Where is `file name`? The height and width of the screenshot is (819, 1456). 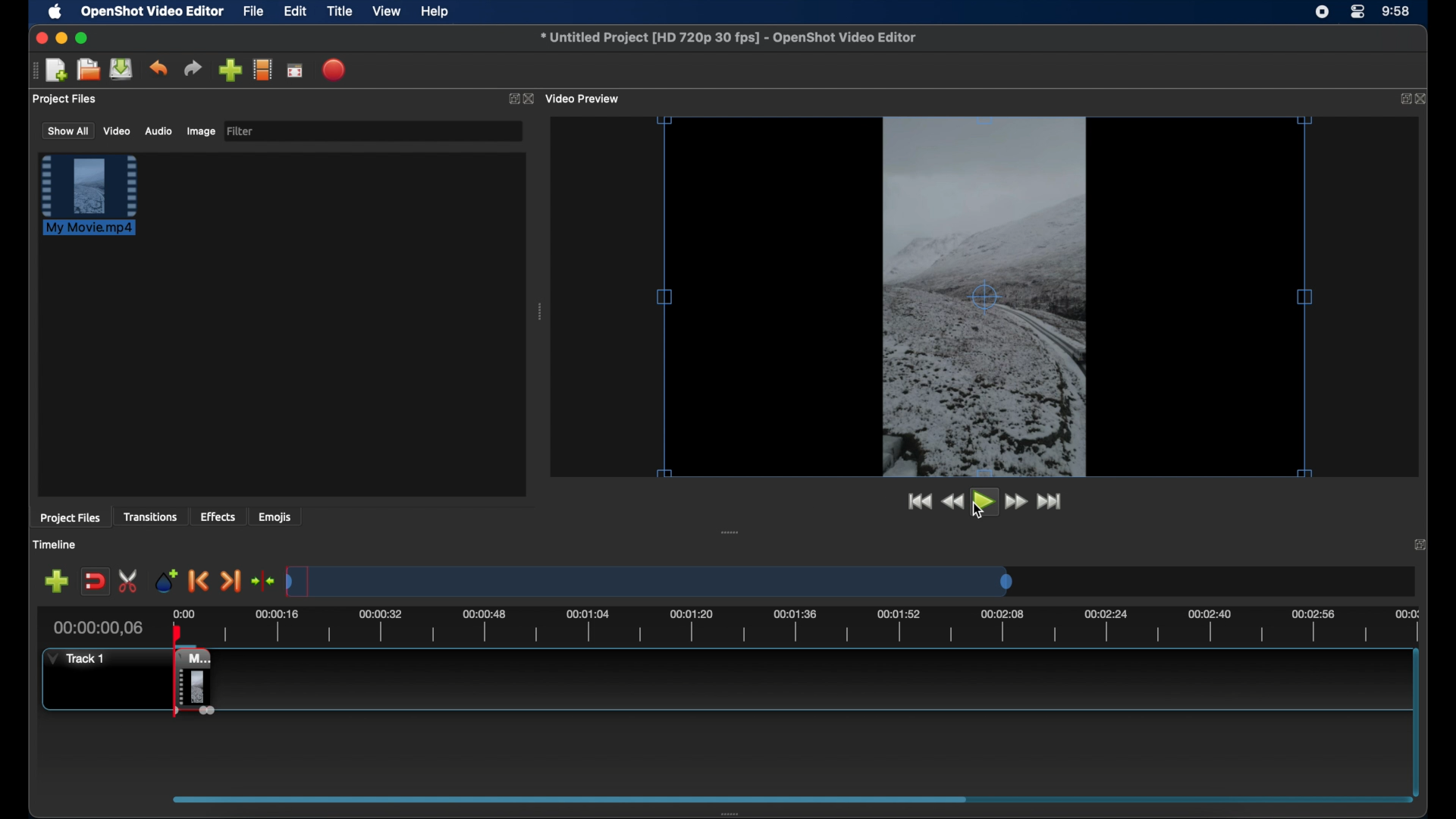 file name is located at coordinates (730, 38).